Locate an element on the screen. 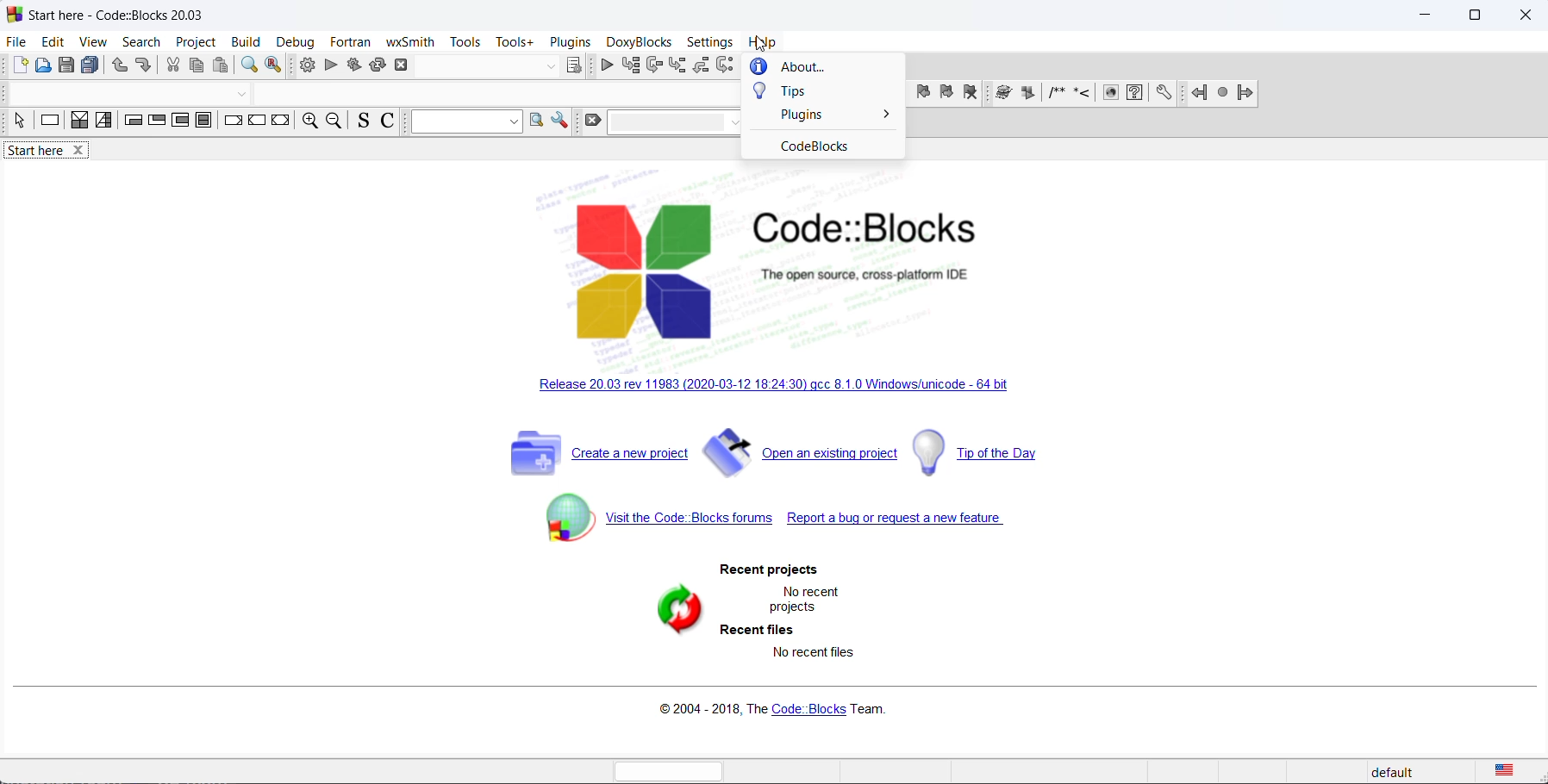  settings is located at coordinates (708, 40).